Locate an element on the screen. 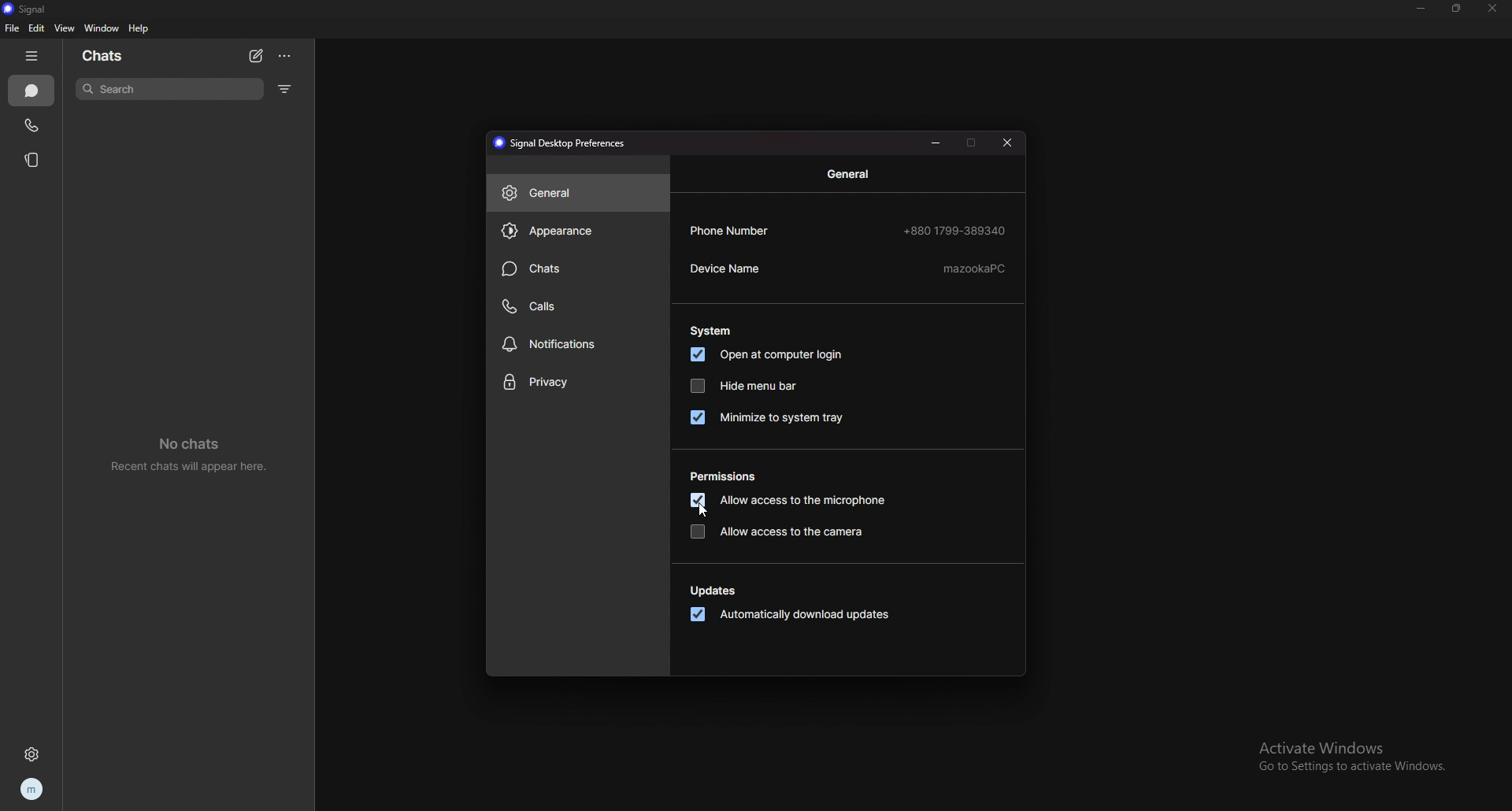 The height and width of the screenshot is (811, 1512). search is located at coordinates (172, 89).